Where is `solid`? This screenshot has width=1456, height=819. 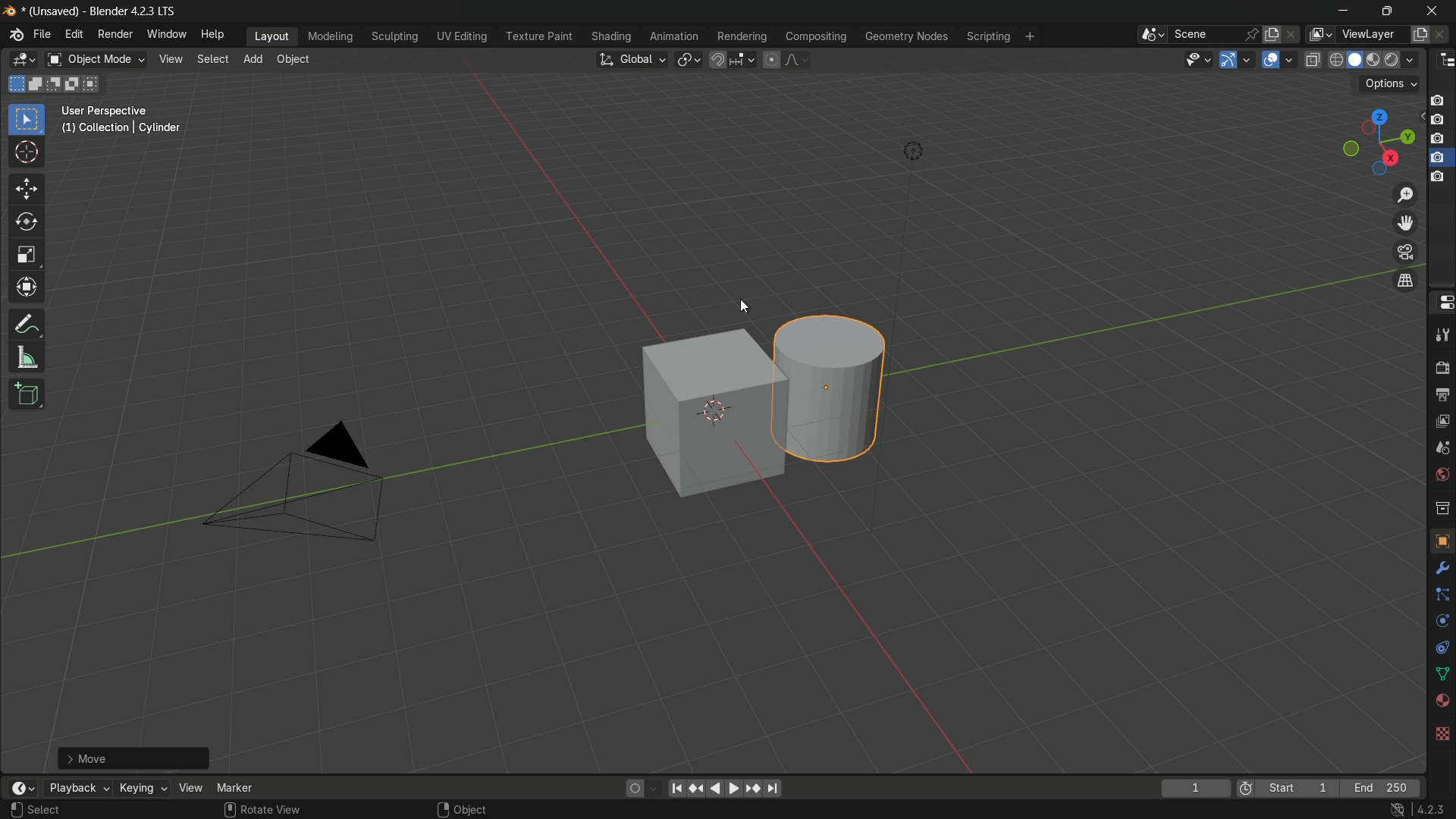
solid is located at coordinates (1356, 61).